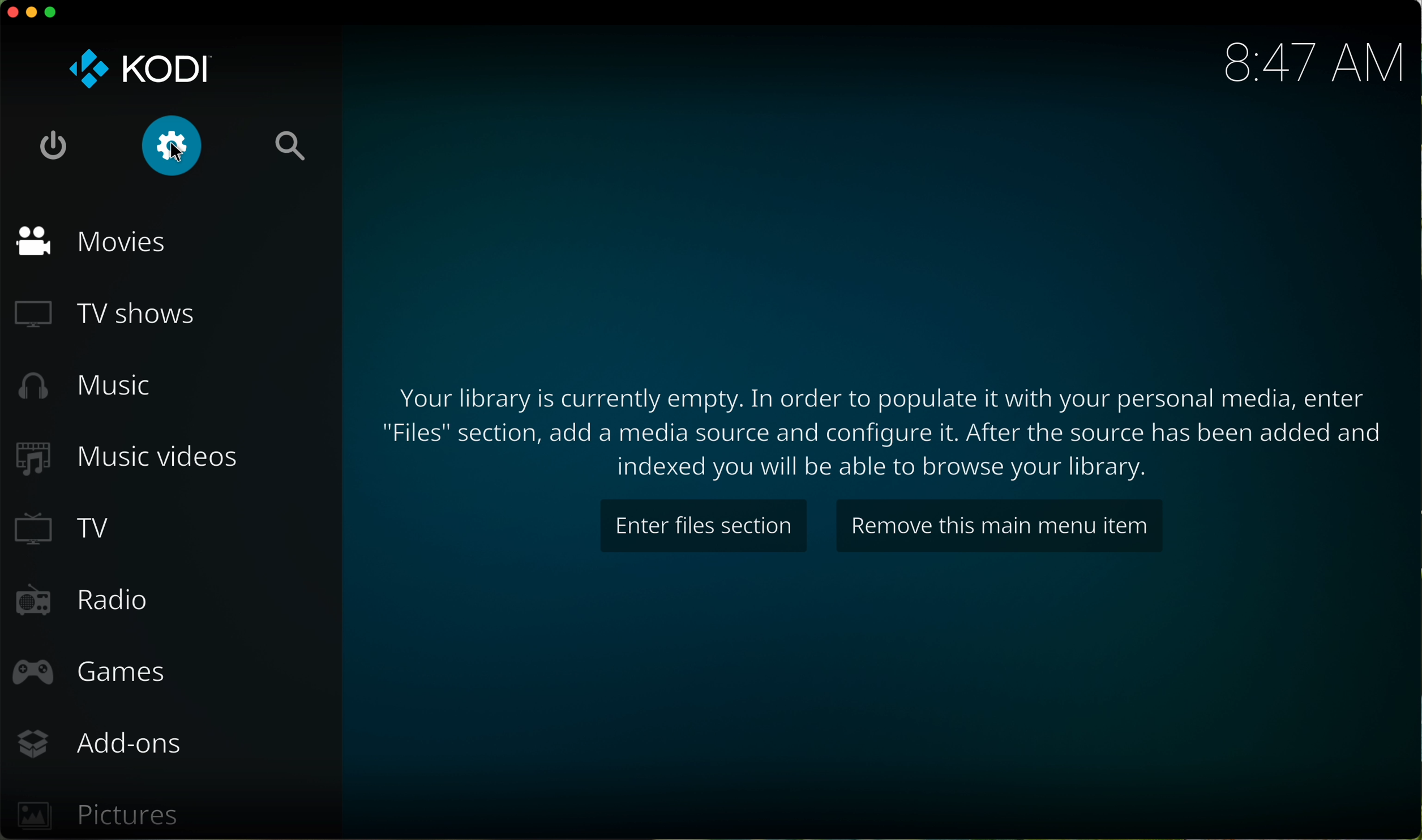 This screenshot has height=840, width=1422. What do you see at coordinates (139, 70) in the screenshot?
I see `KODI logo` at bounding box center [139, 70].